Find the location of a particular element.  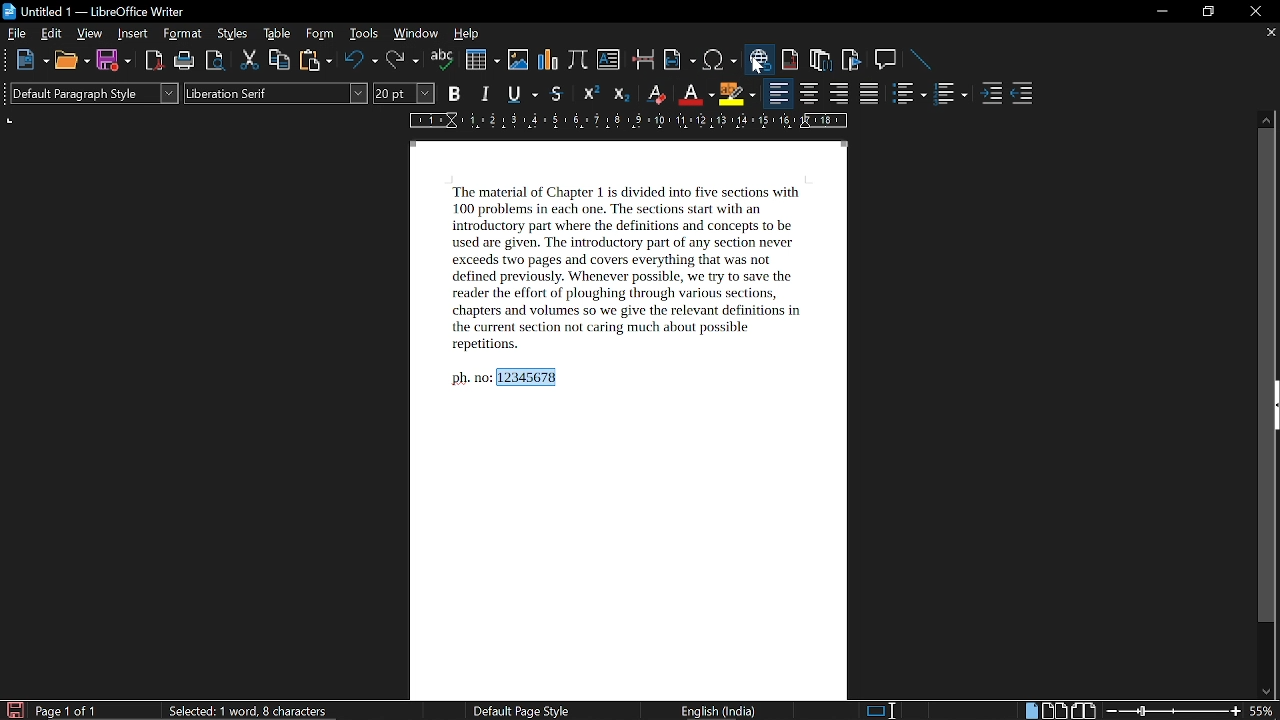

close is located at coordinates (1257, 11).